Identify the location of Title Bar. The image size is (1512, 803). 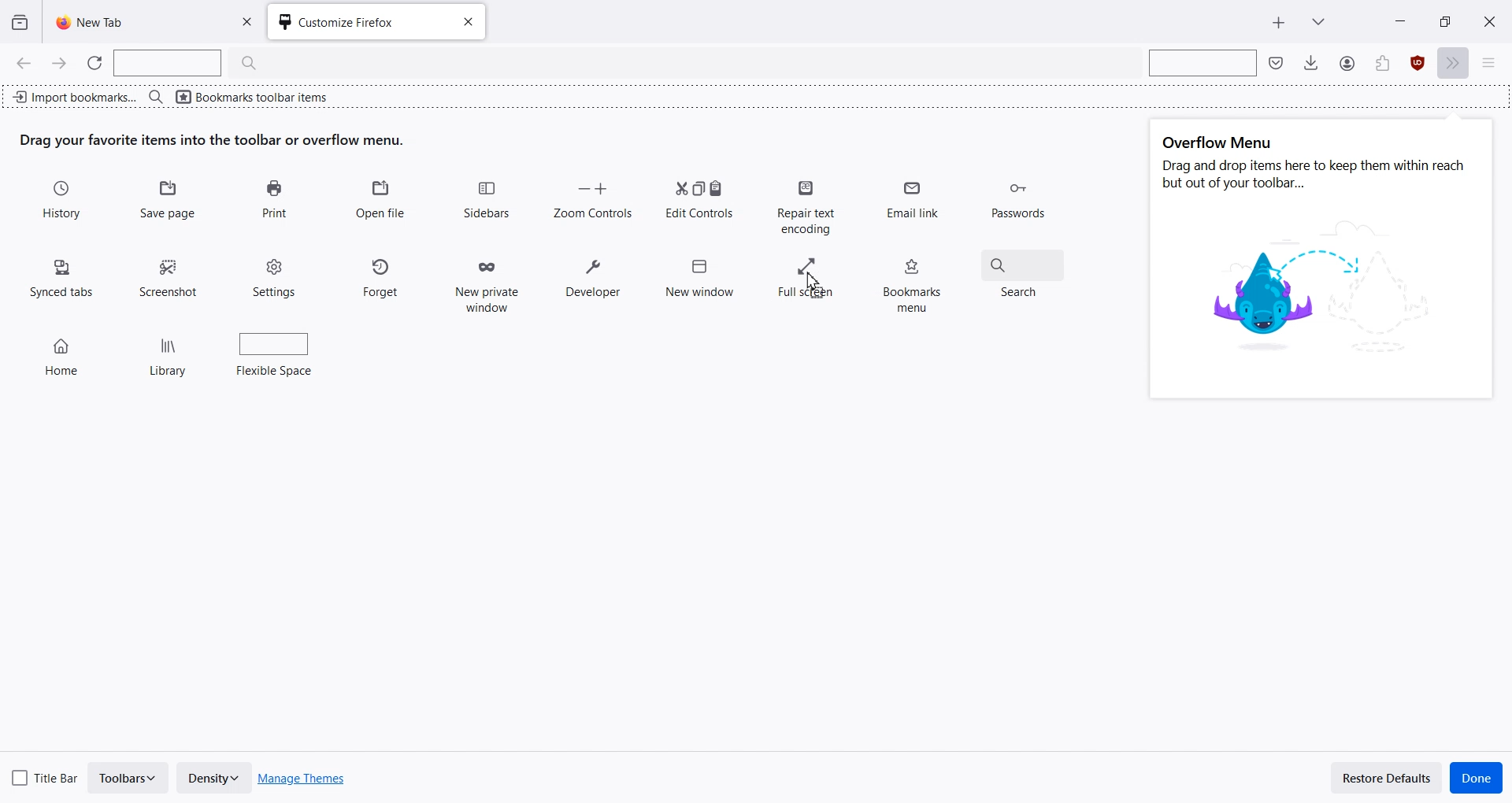
(46, 775).